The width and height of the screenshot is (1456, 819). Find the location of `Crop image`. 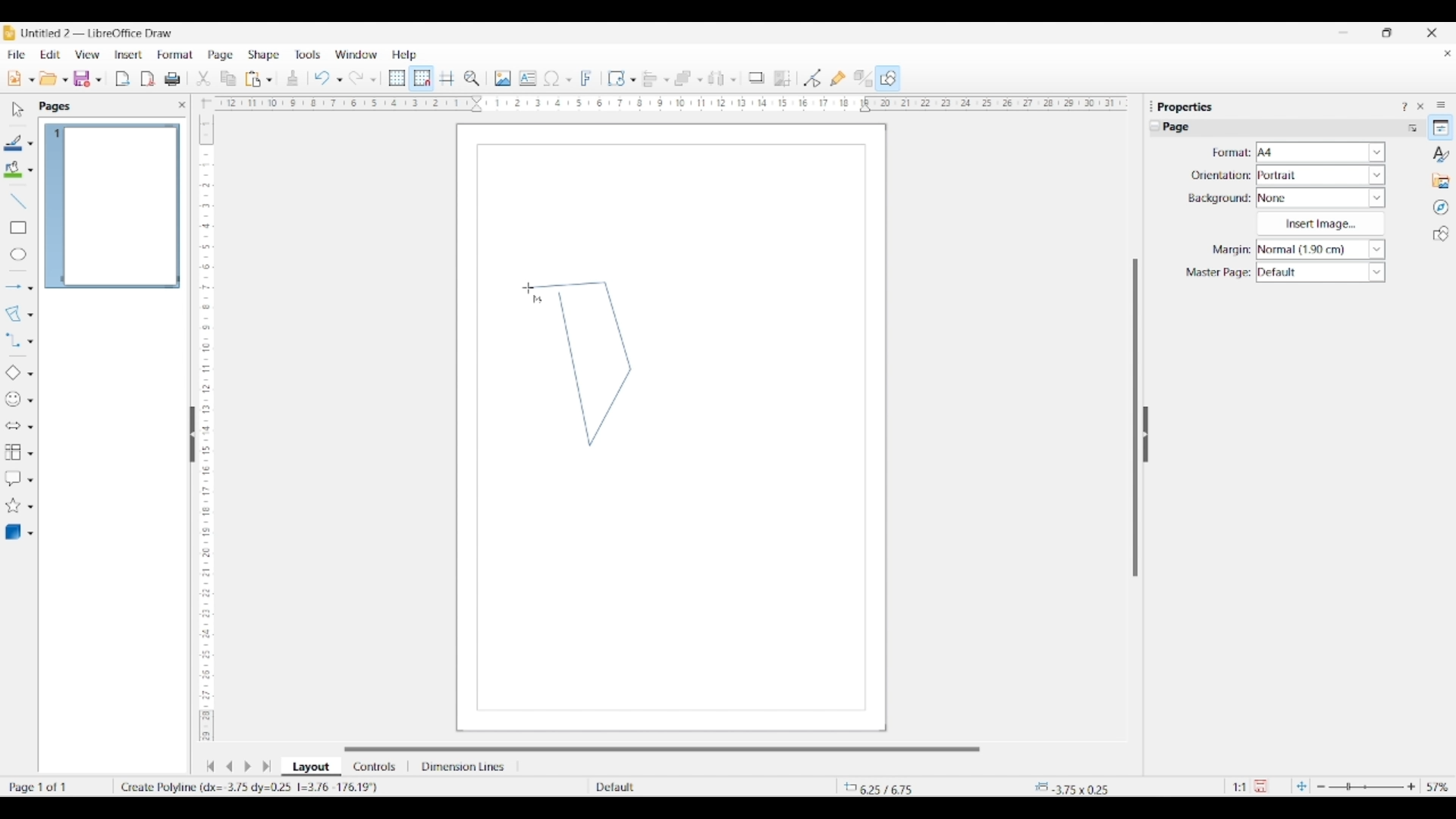

Crop image is located at coordinates (783, 78).